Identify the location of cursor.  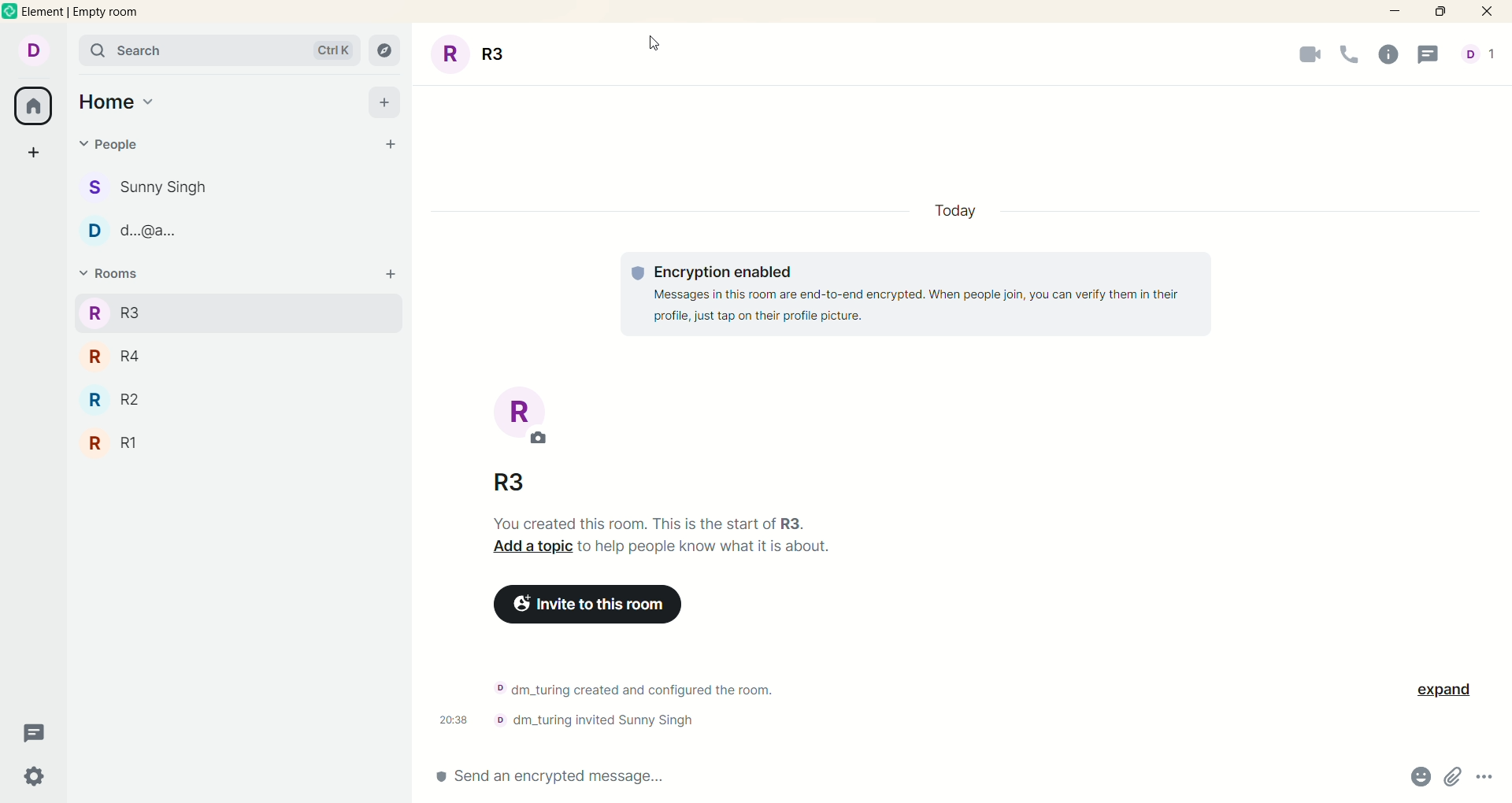
(658, 46).